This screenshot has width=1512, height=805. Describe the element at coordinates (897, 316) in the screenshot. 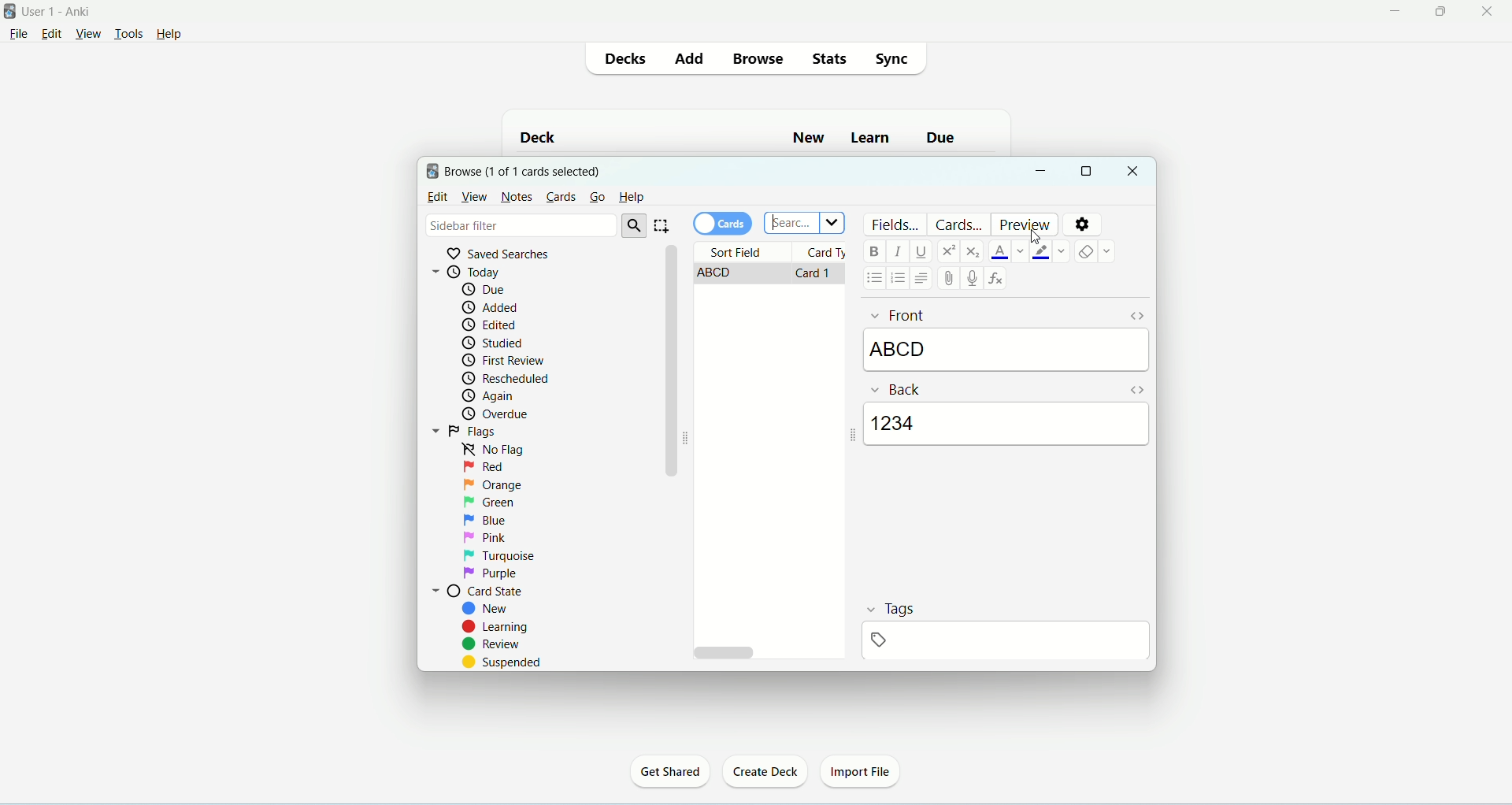

I see `Front` at that location.